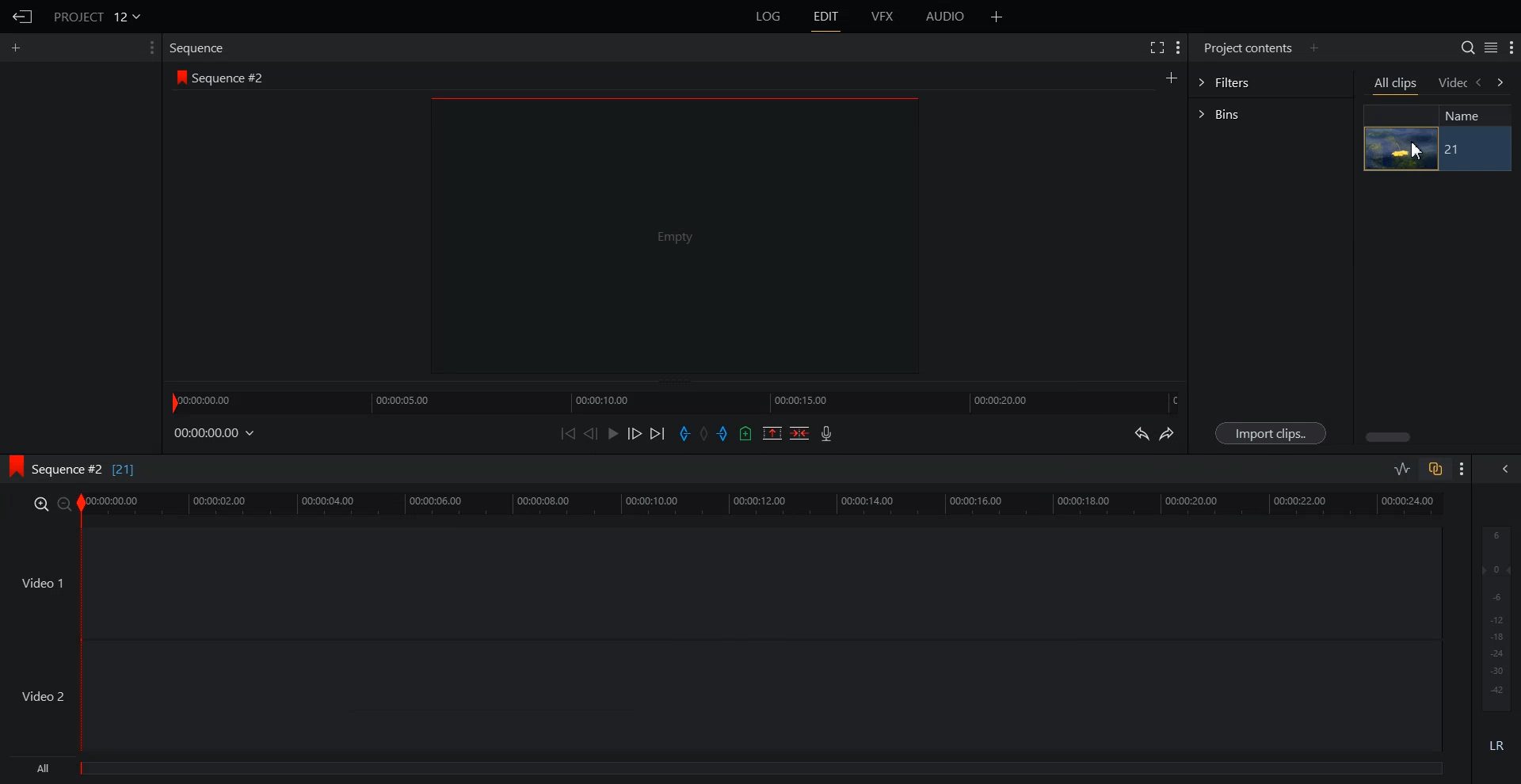  Describe the element at coordinates (1169, 435) in the screenshot. I see `Redo` at that location.